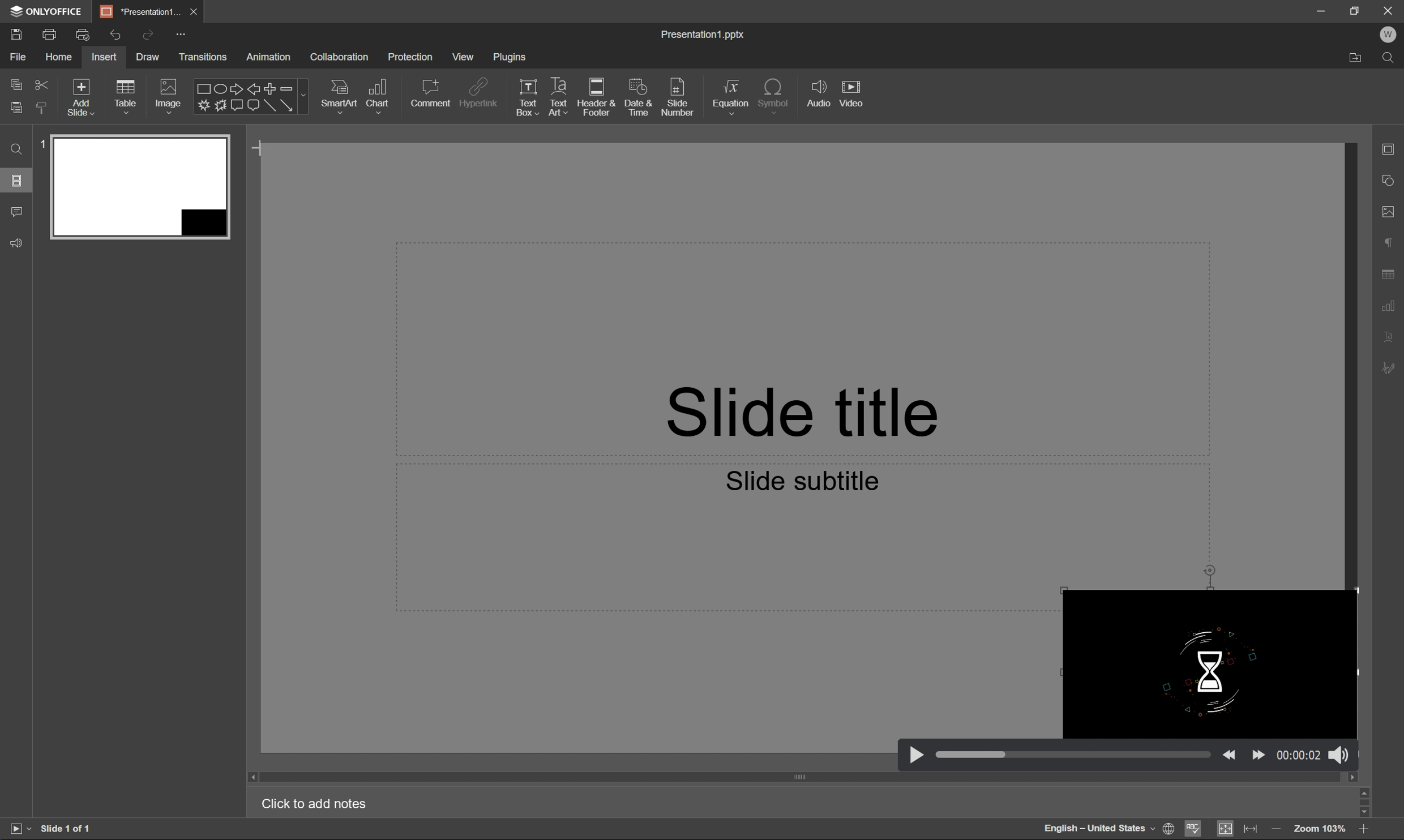 The width and height of the screenshot is (1404, 840). What do you see at coordinates (140, 185) in the screenshot?
I see `slide` at bounding box center [140, 185].